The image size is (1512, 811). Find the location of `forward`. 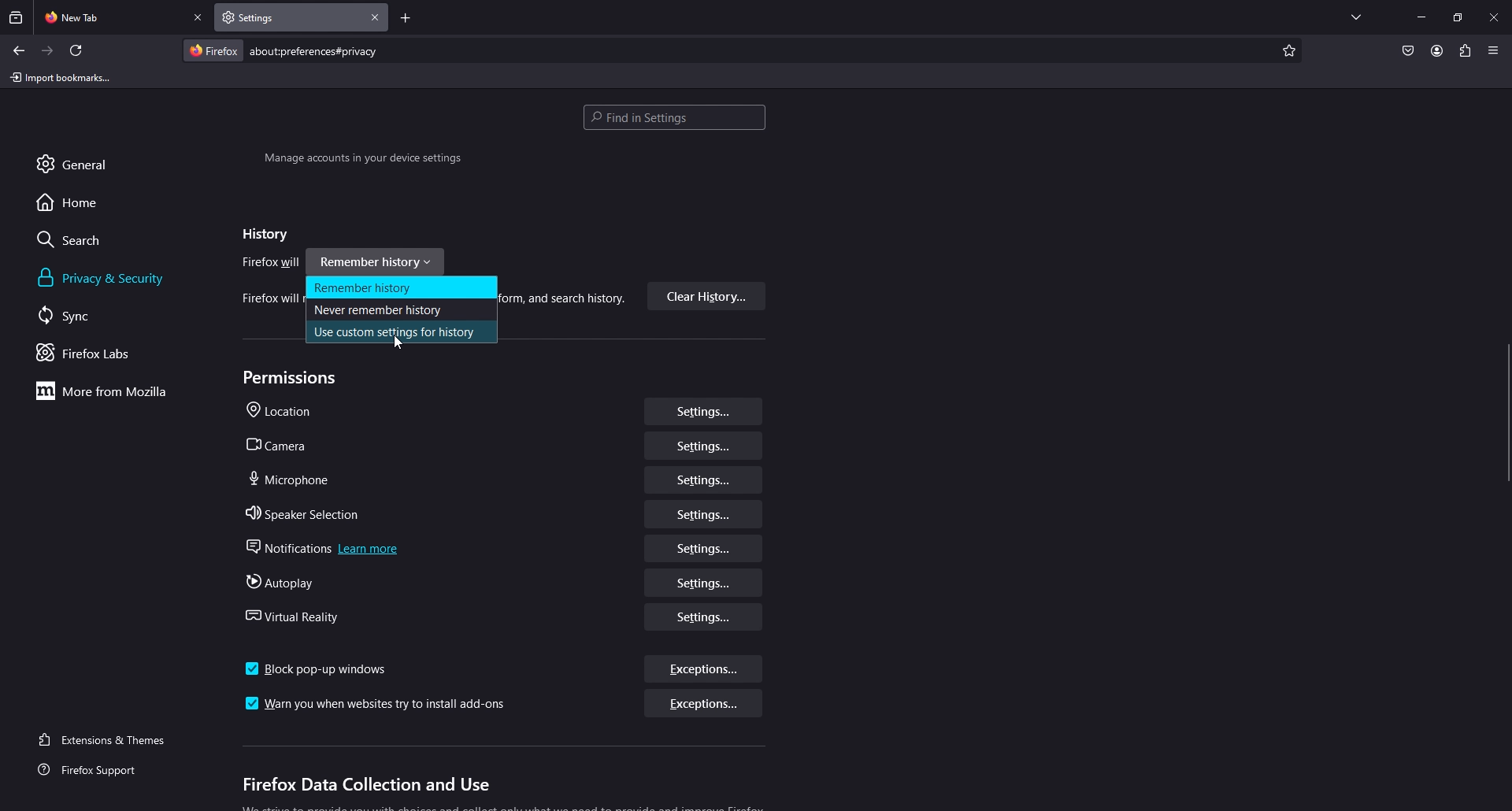

forward is located at coordinates (48, 51).